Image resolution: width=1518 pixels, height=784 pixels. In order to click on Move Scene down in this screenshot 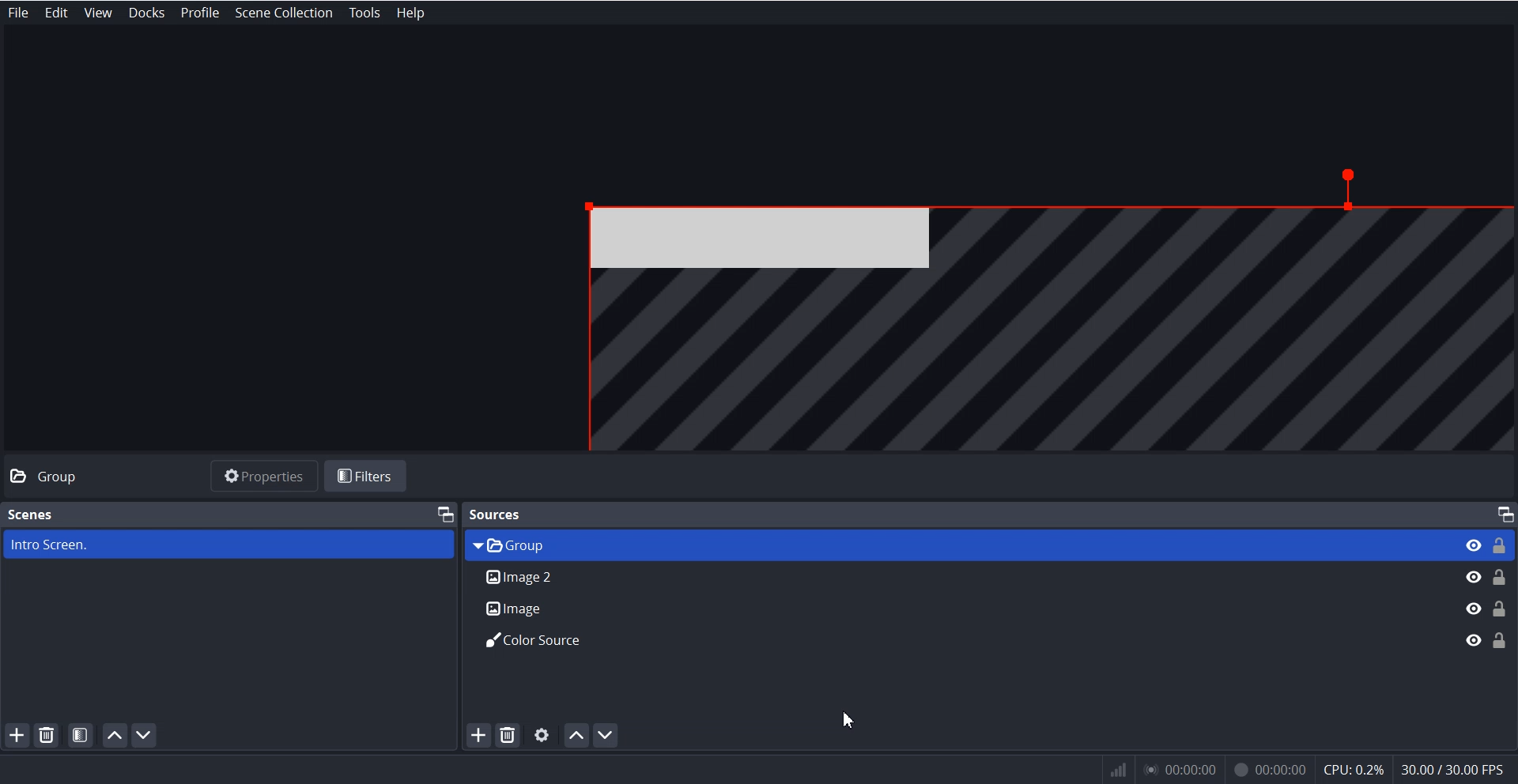, I will do `click(609, 735)`.